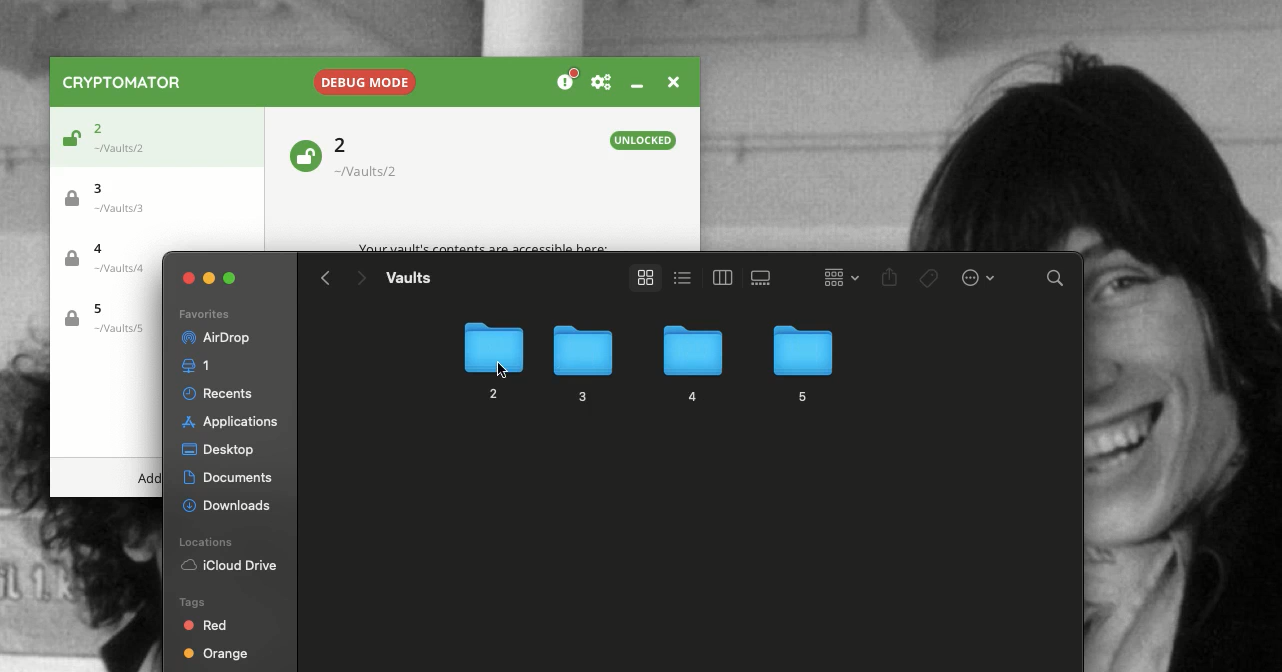 The image size is (1282, 672). I want to click on Cryptomator, so click(123, 82).